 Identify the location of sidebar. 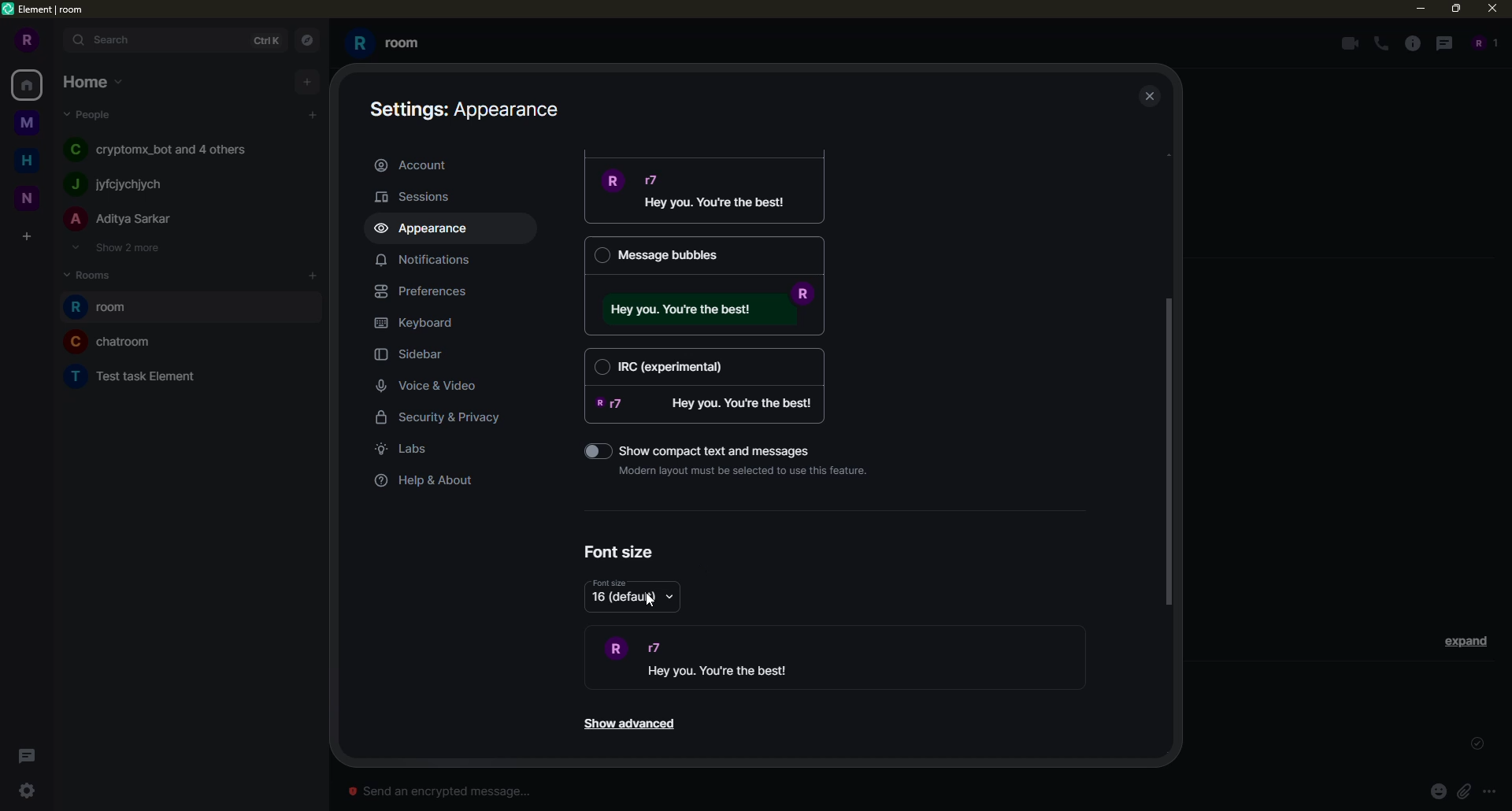
(416, 356).